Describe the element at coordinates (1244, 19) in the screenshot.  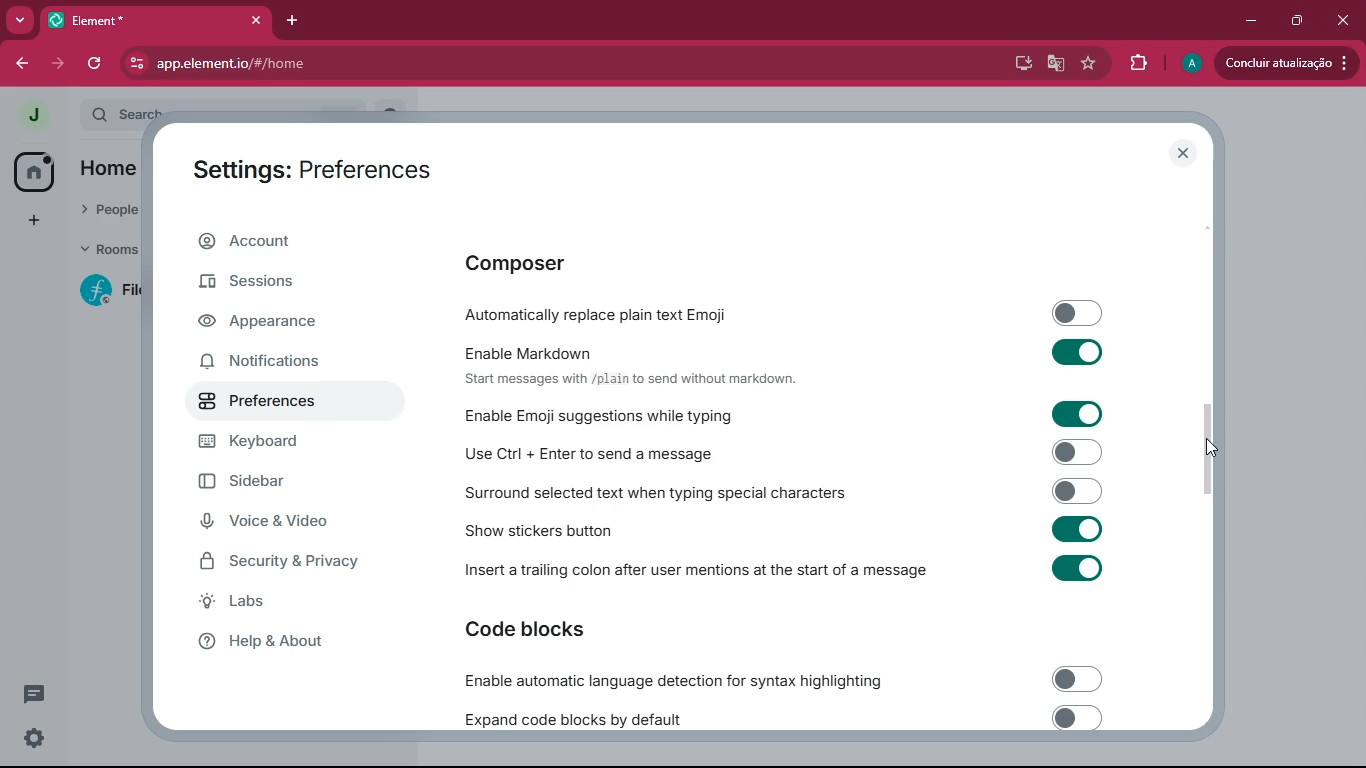
I see `minimize` at that location.